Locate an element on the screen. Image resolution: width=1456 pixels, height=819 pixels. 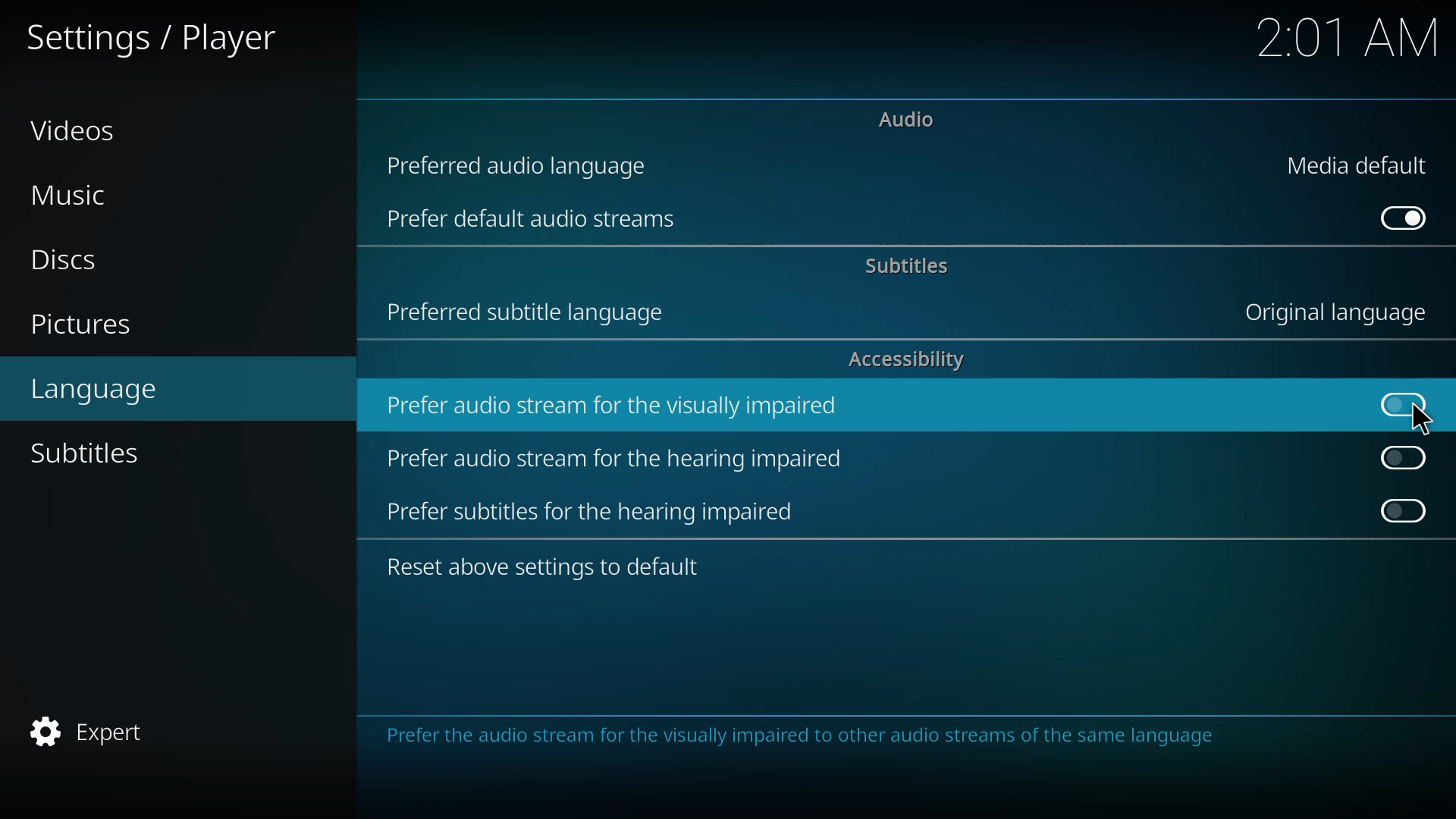
cursor is located at coordinates (1423, 421).